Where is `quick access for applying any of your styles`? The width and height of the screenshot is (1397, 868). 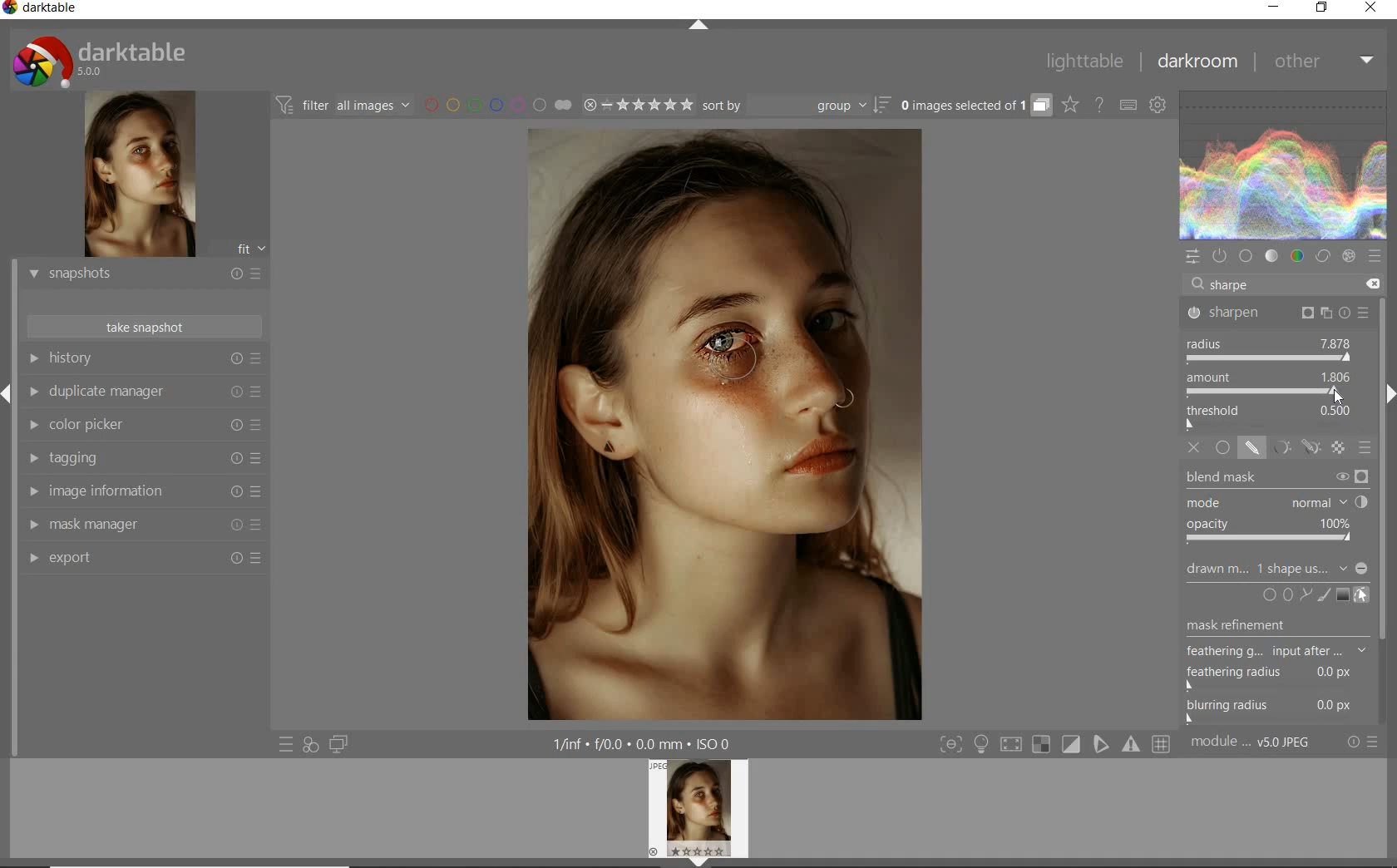 quick access for applying any of your styles is located at coordinates (309, 745).